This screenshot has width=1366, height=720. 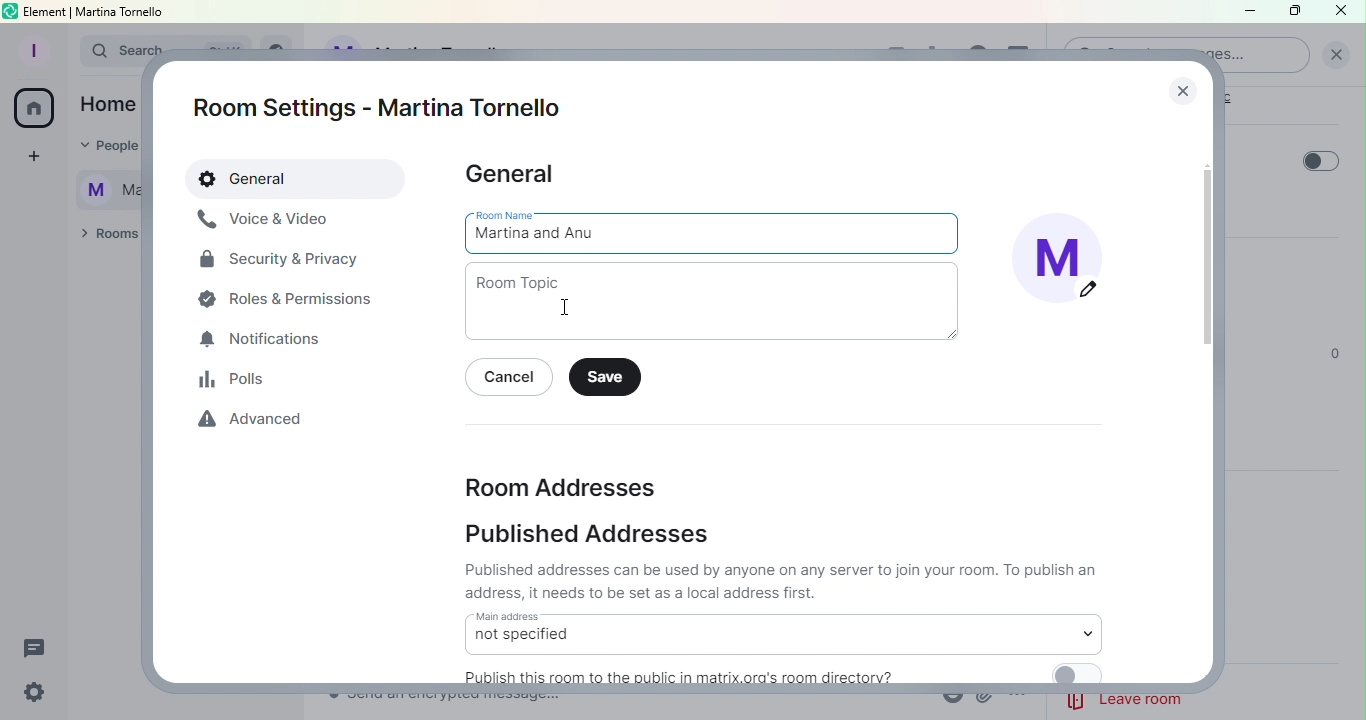 I want to click on Room topic, so click(x=719, y=302).